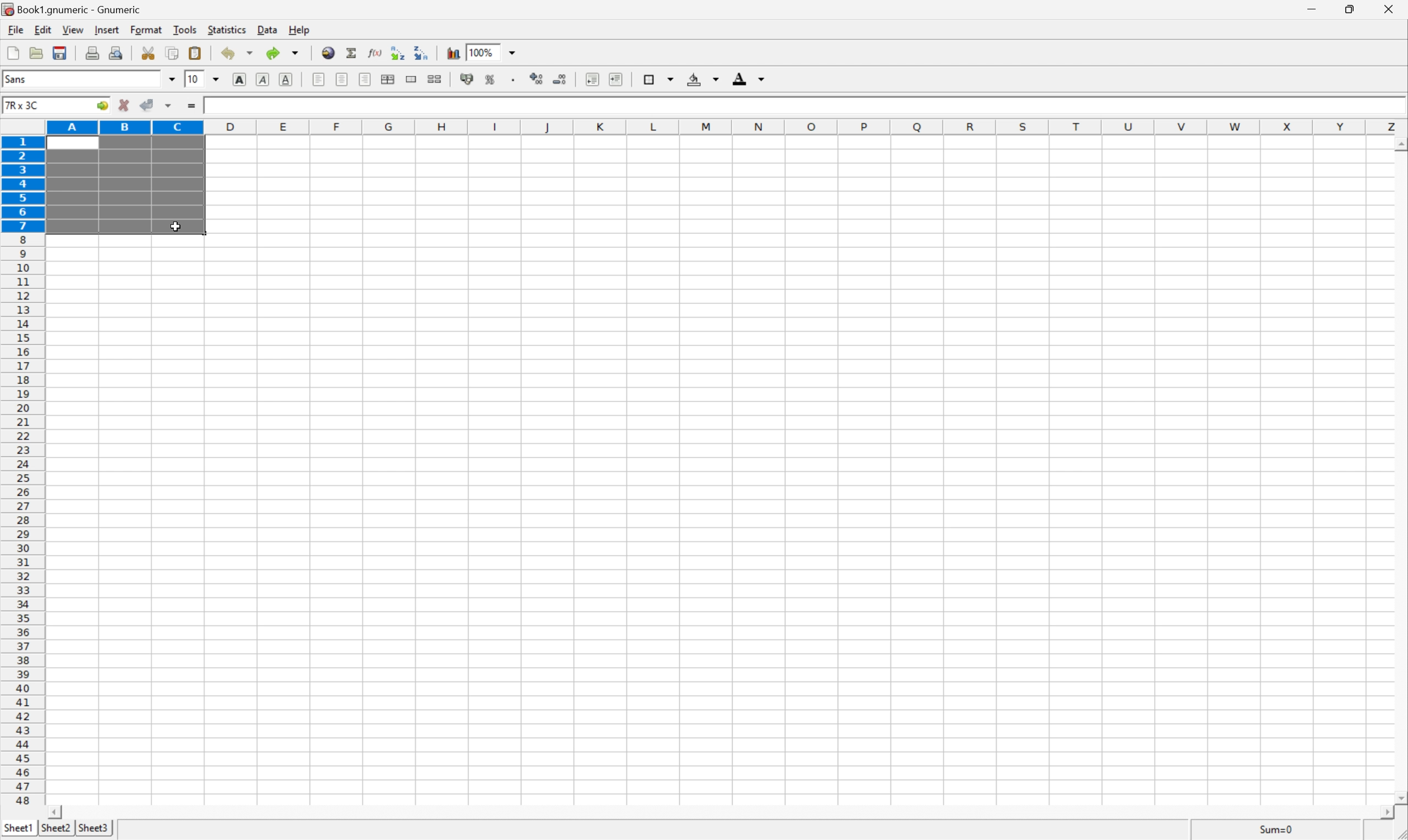  I want to click on decrease number of decimals displayed, so click(560, 83).